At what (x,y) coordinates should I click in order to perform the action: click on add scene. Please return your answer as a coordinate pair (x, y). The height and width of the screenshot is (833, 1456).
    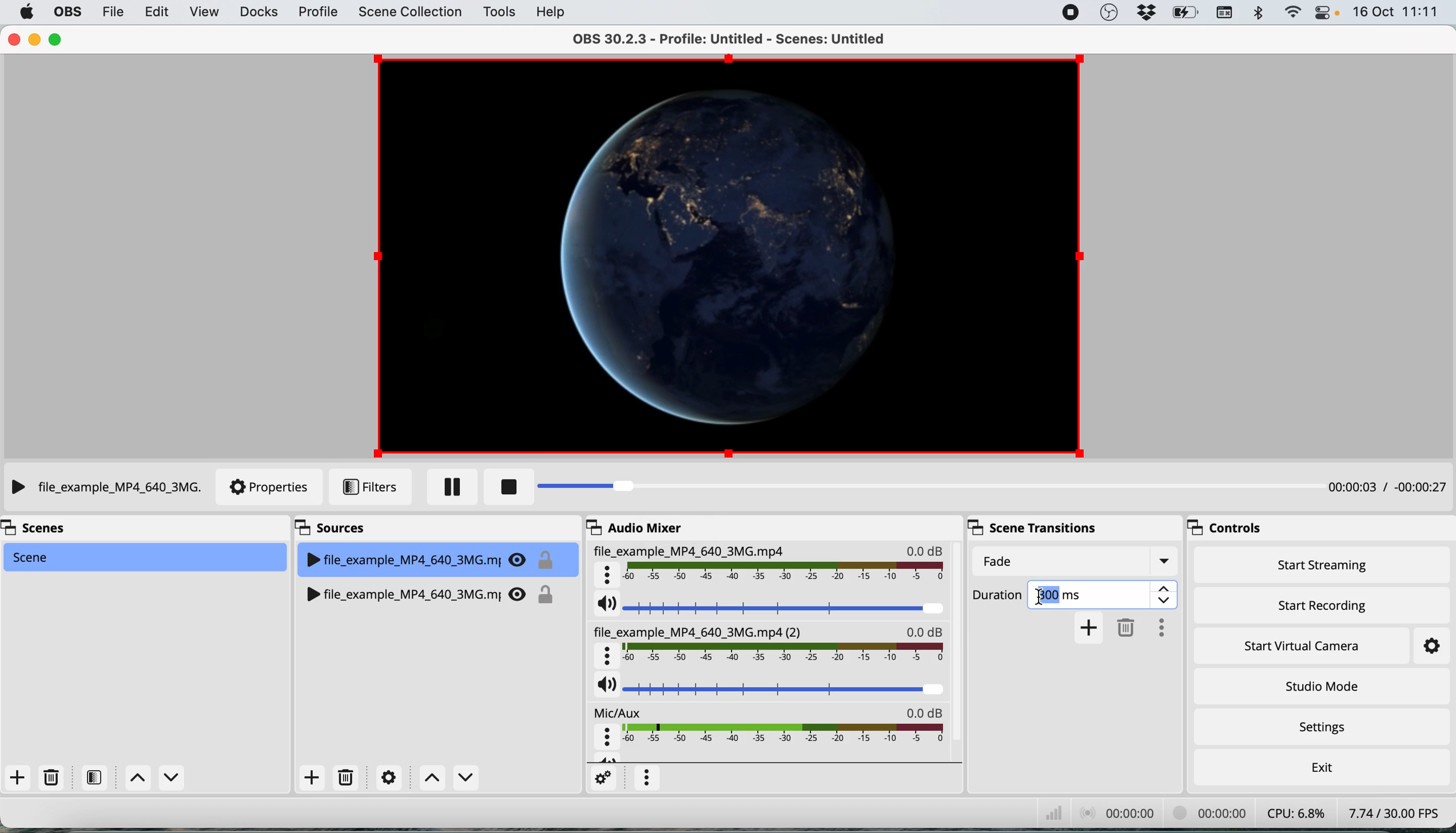
    Looking at the image, I should click on (18, 777).